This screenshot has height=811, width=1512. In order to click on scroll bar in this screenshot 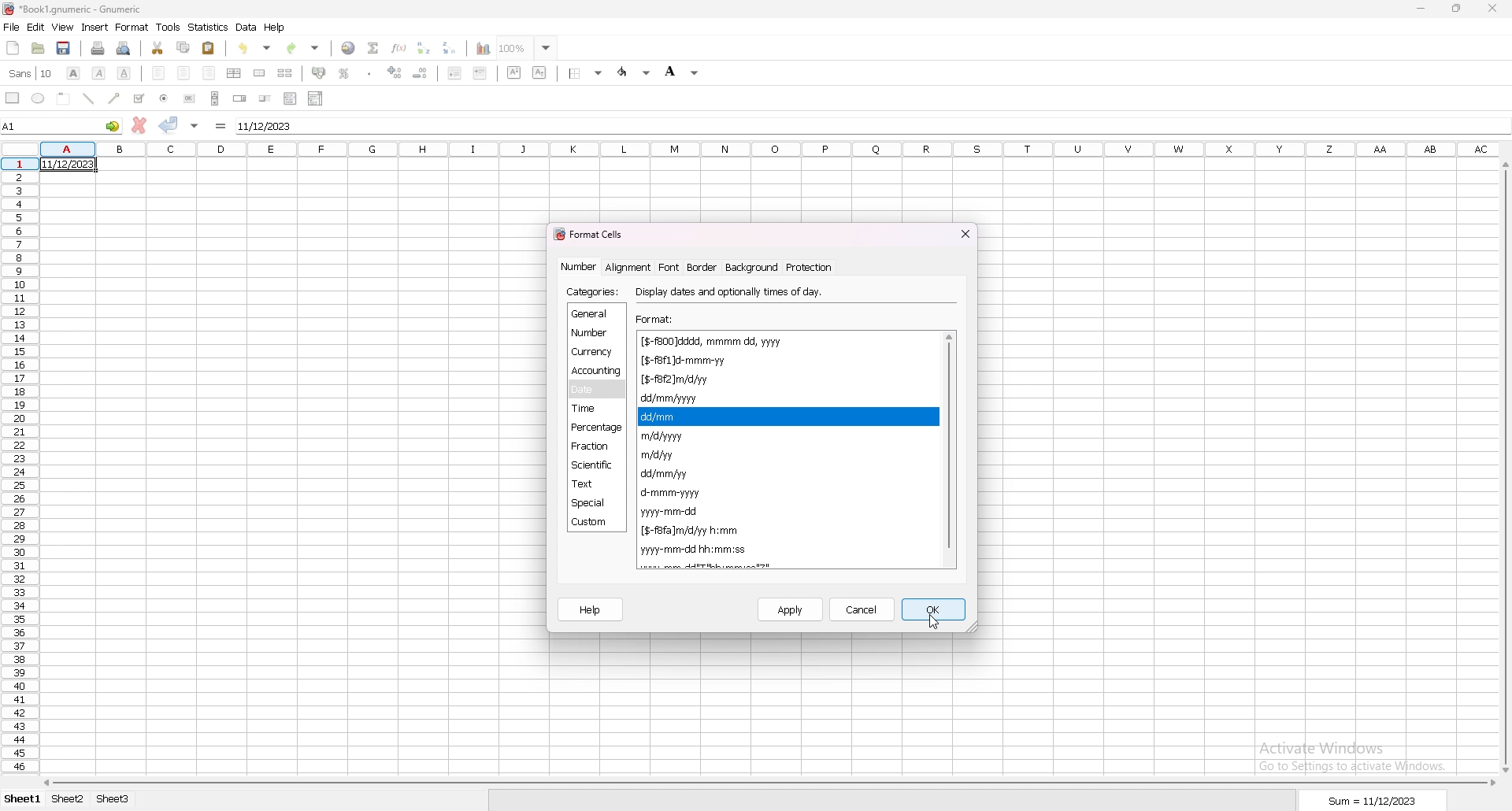, I will do `click(1503, 467)`.